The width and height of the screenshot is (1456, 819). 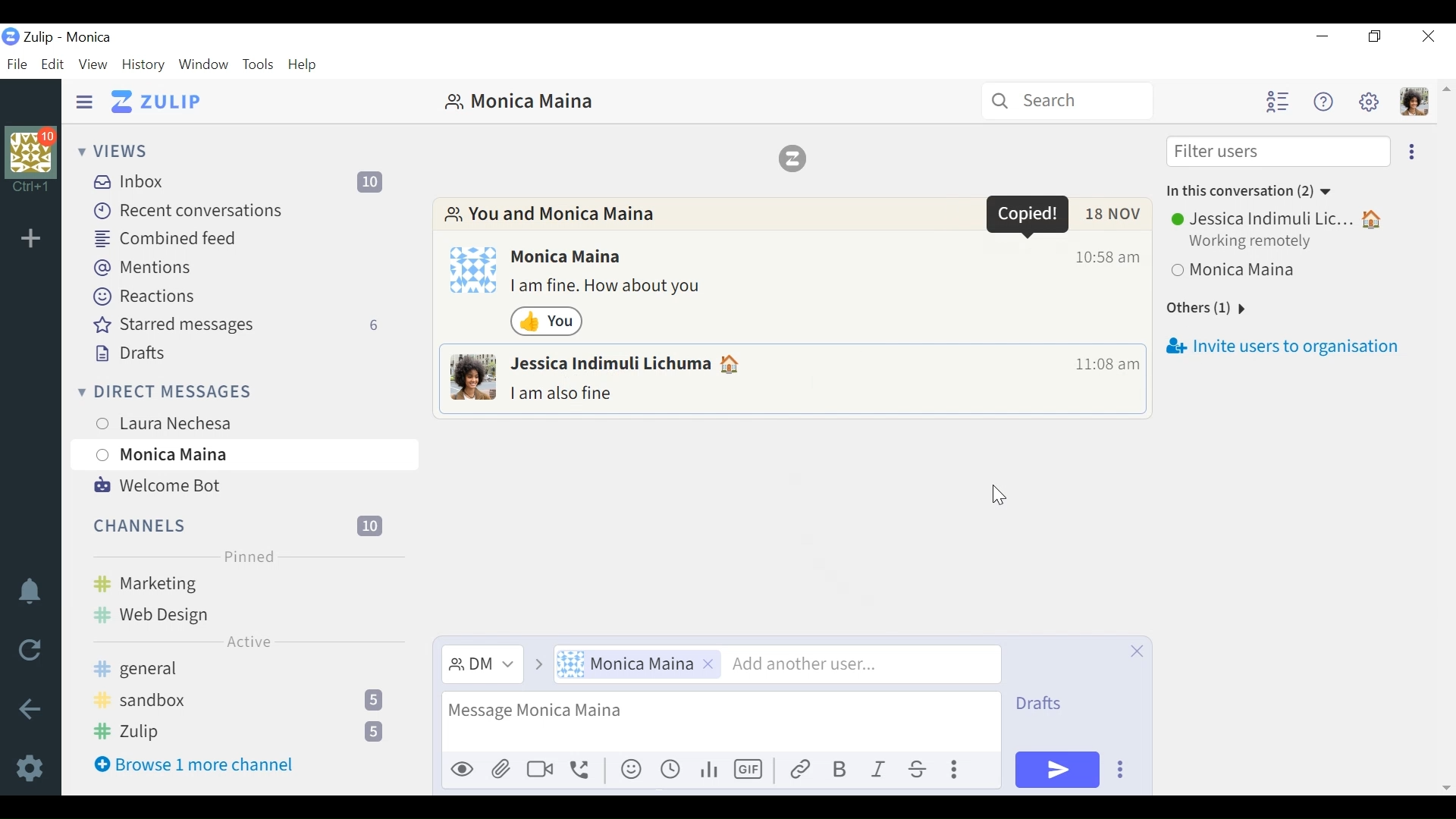 I want to click on Emoji reaction, so click(x=548, y=322).